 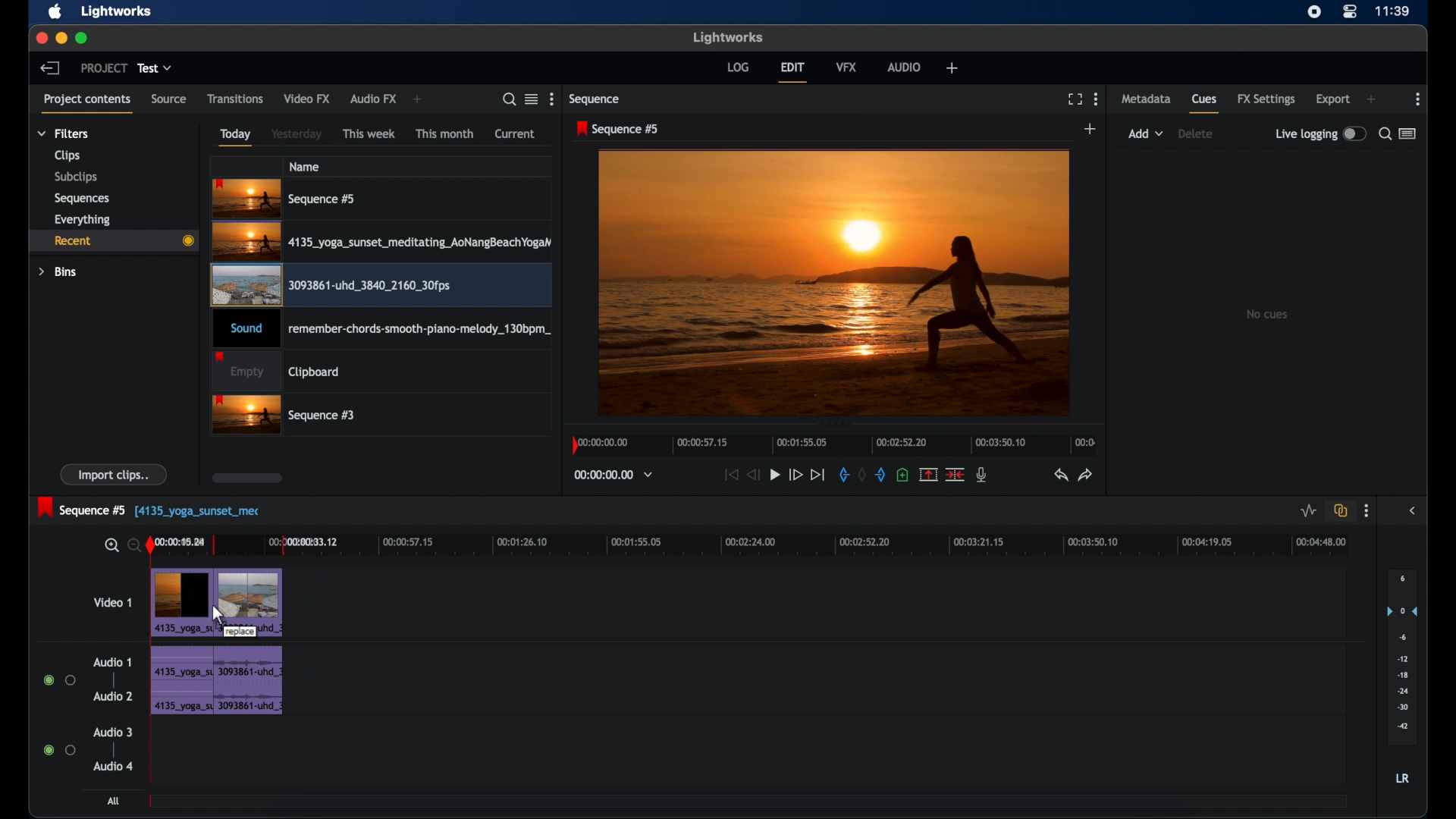 I want to click on sequences, so click(x=81, y=199).